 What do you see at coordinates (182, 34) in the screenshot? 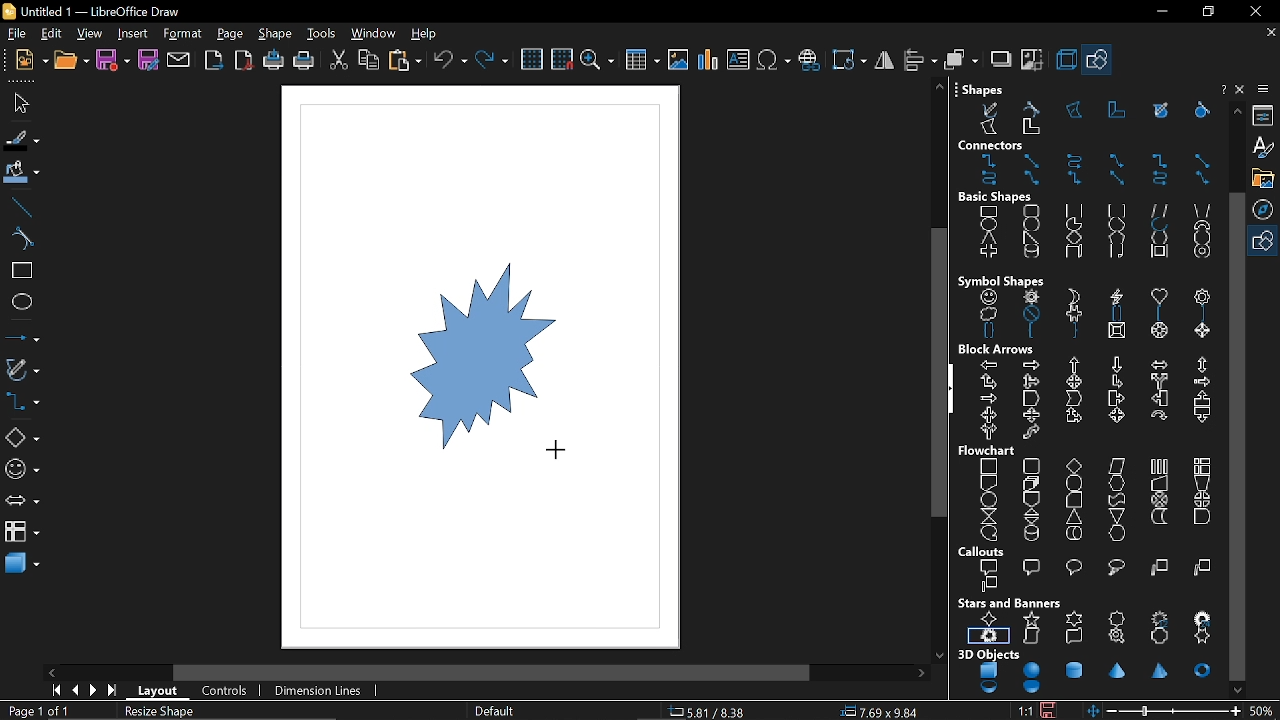
I see `format` at bounding box center [182, 34].